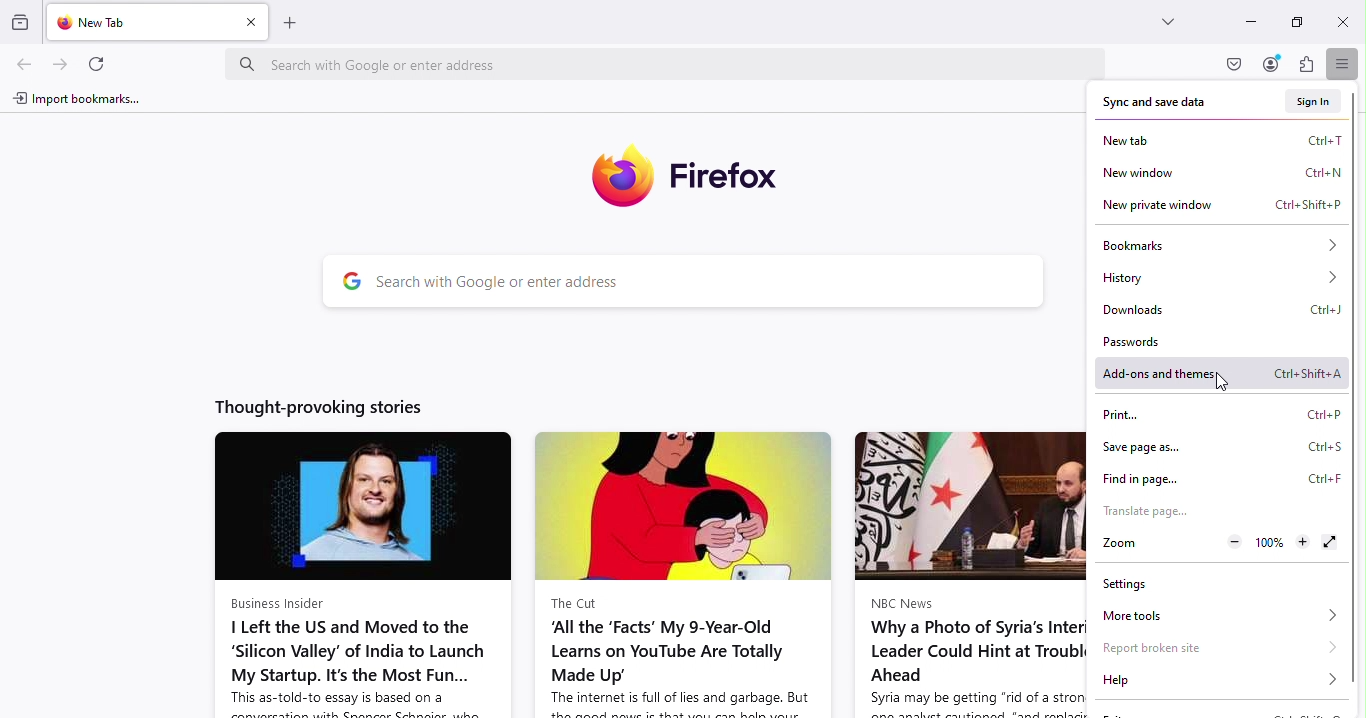  What do you see at coordinates (668, 60) in the screenshot?
I see `Search bar` at bounding box center [668, 60].